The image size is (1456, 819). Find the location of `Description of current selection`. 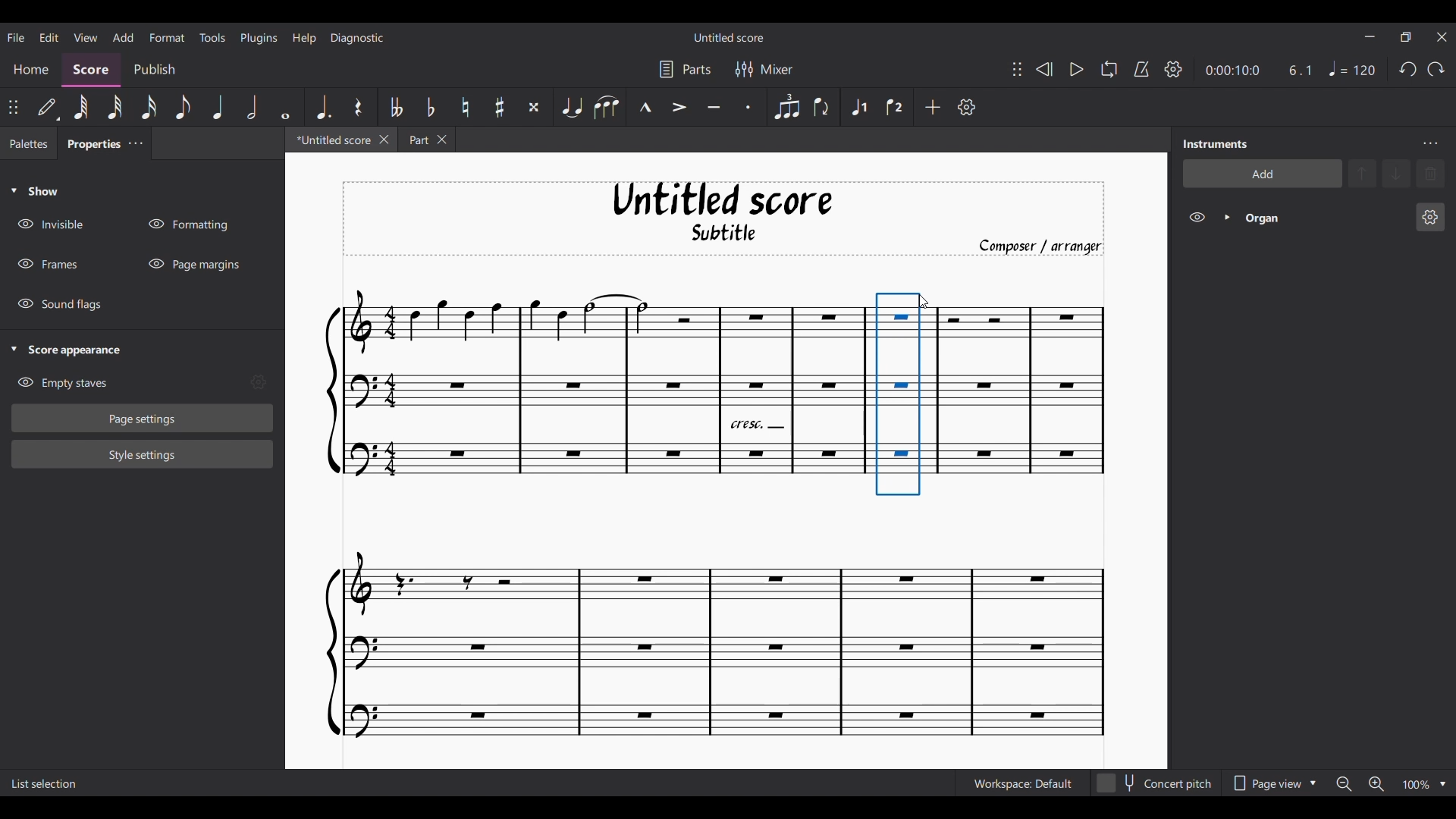

Description of current selection is located at coordinates (47, 783).